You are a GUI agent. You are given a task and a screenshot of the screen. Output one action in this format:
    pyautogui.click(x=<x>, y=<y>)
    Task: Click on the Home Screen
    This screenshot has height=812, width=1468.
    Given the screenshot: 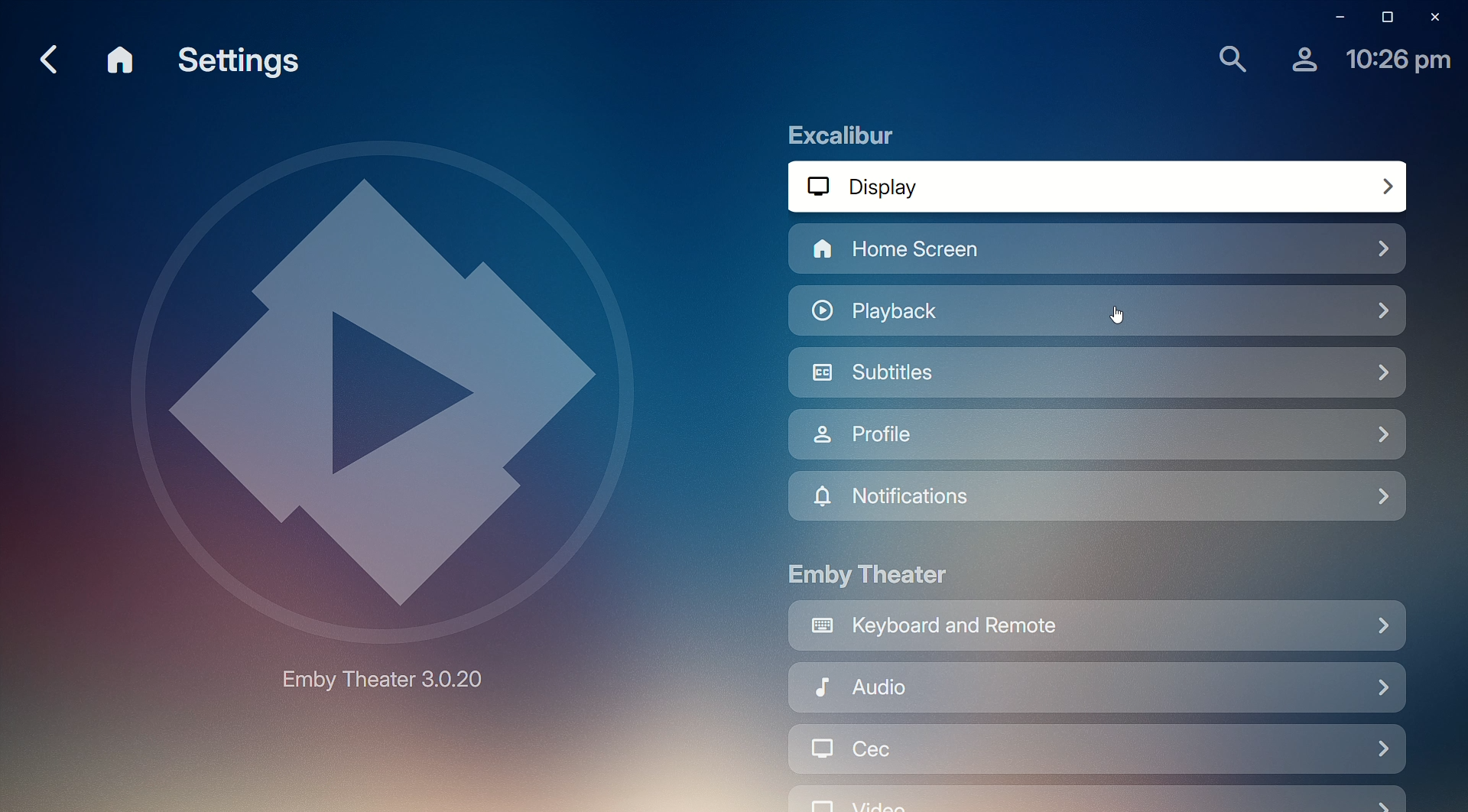 What is the action you would take?
    pyautogui.click(x=1018, y=252)
    